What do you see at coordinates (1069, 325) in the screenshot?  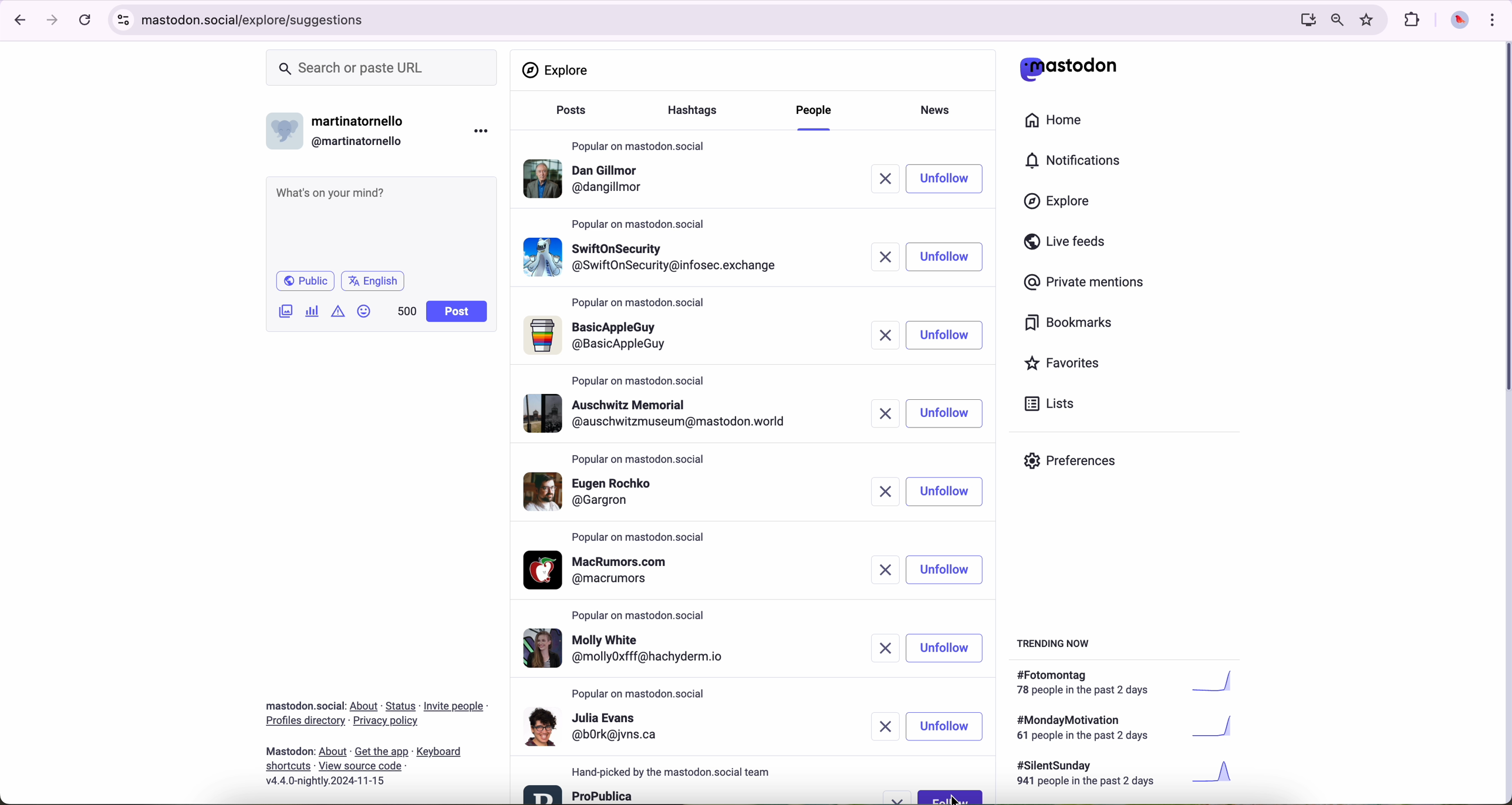 I see `bookmarks` at bounding box center [1069, 325].